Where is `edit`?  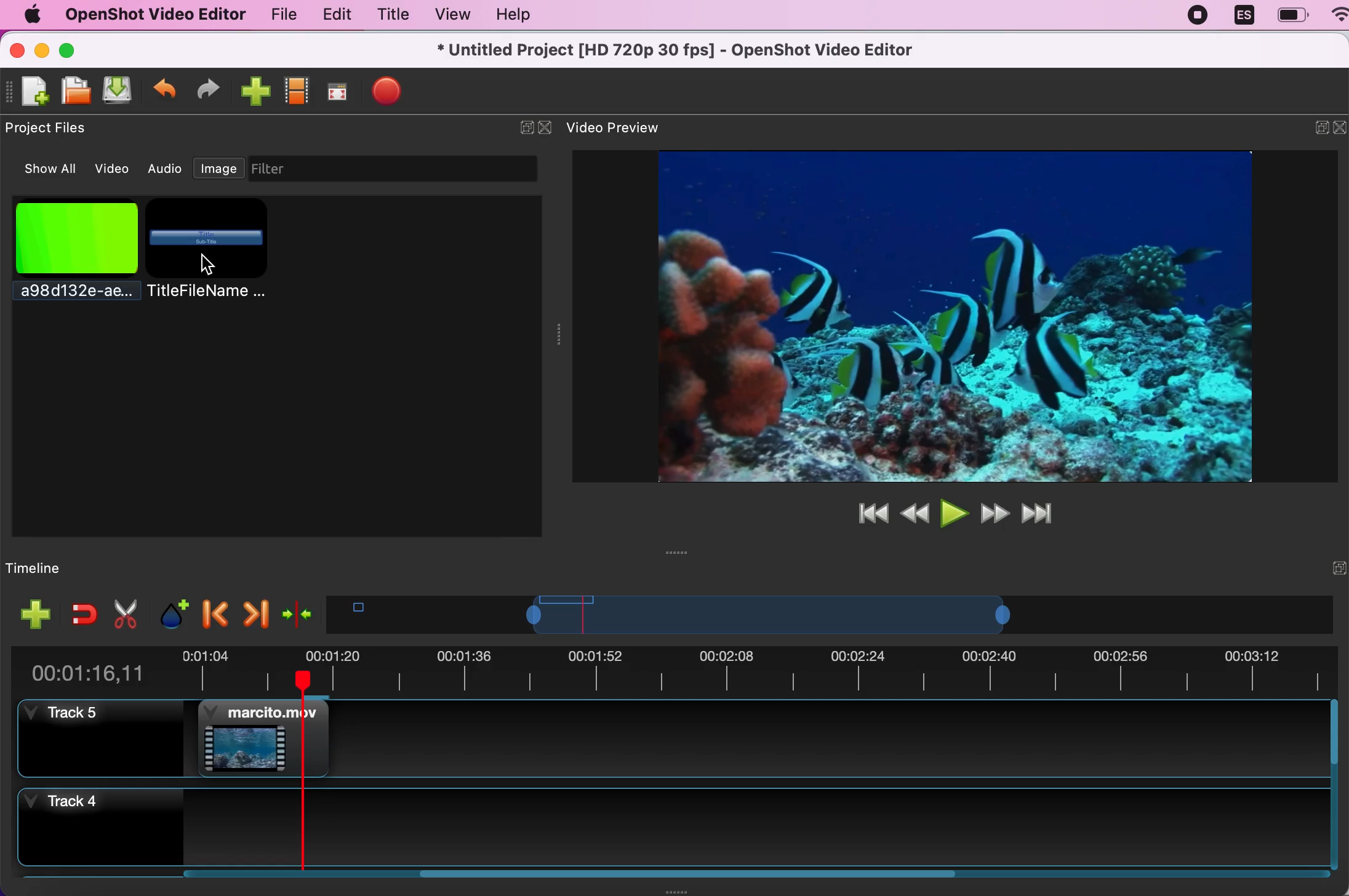
edit is located at coordinates (334, 15).